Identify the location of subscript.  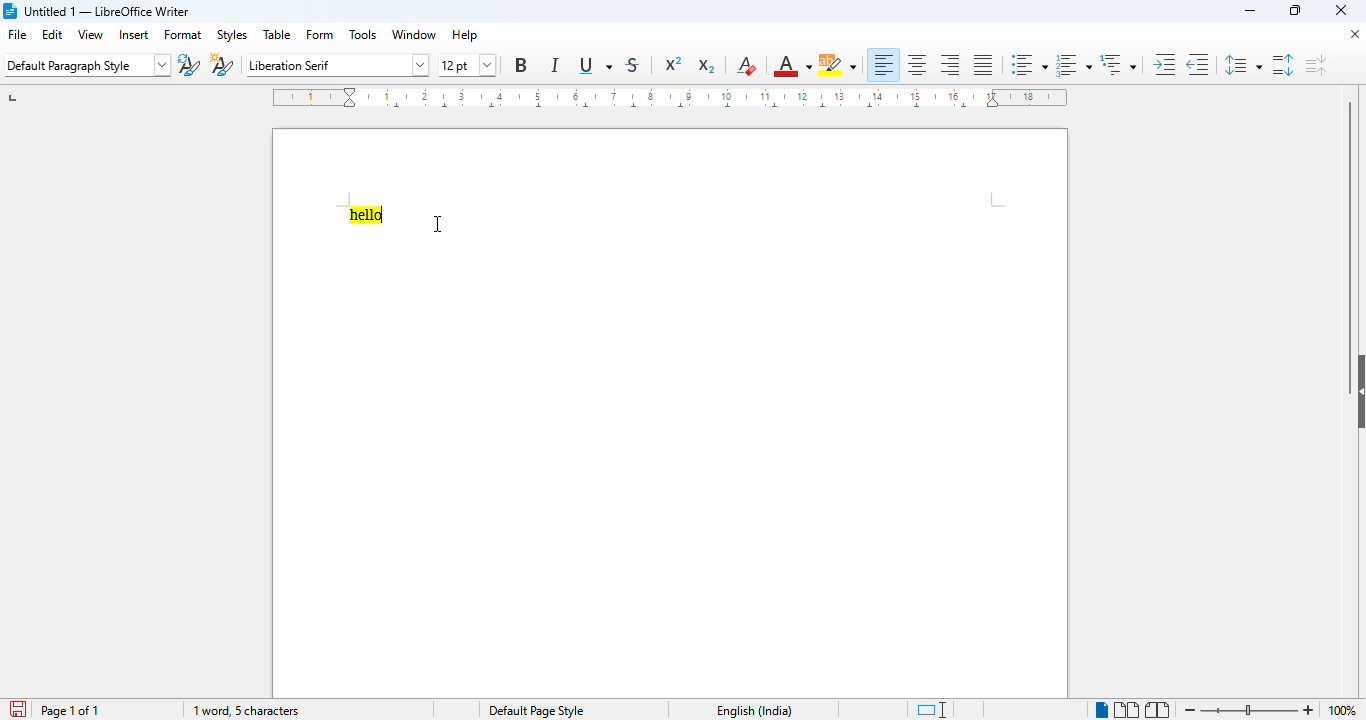
(705, 65).